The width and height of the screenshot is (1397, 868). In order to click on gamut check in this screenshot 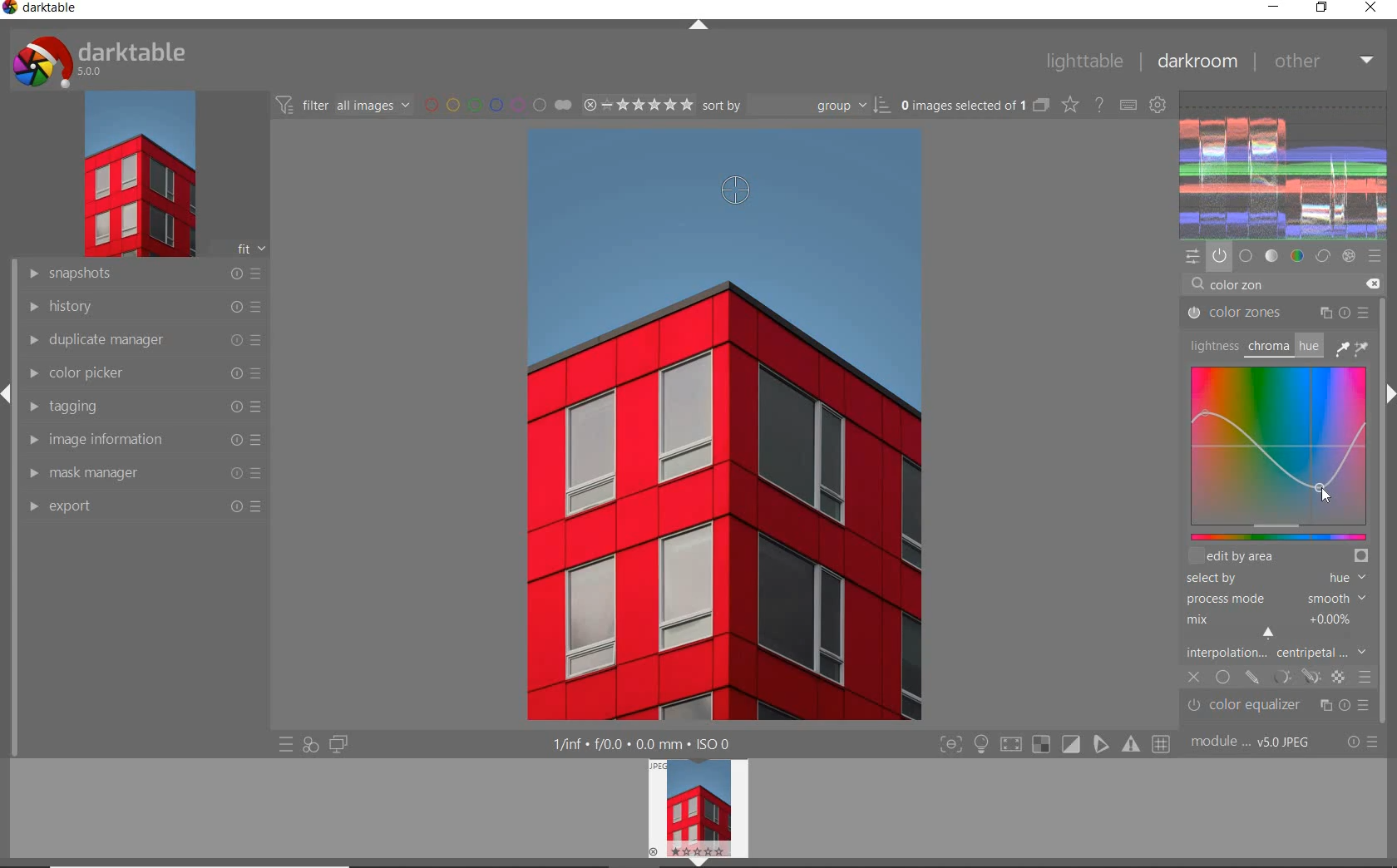, I will do `click(1039, 744)`.